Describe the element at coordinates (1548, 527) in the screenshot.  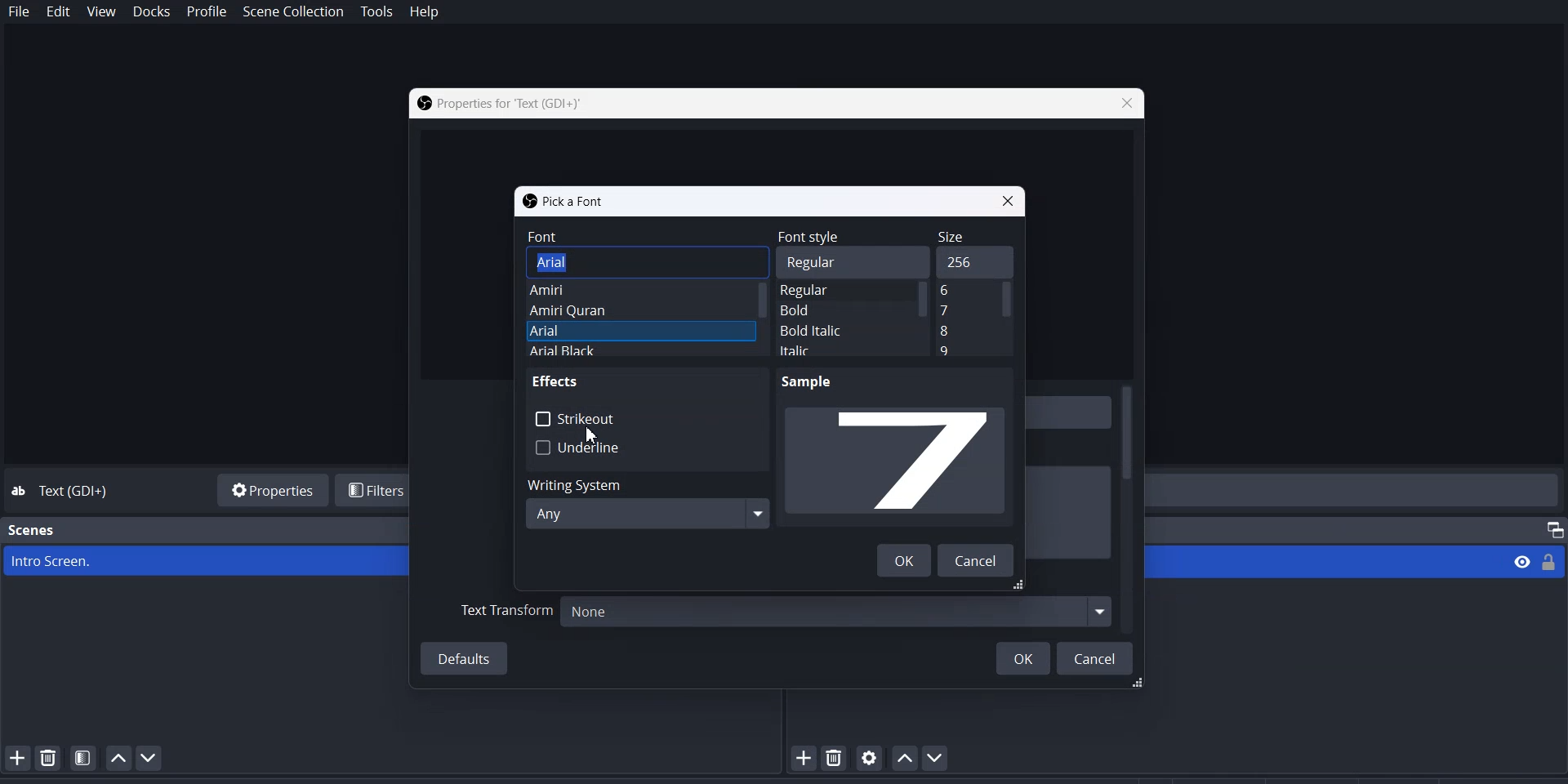
I see `Maximize` at that location.